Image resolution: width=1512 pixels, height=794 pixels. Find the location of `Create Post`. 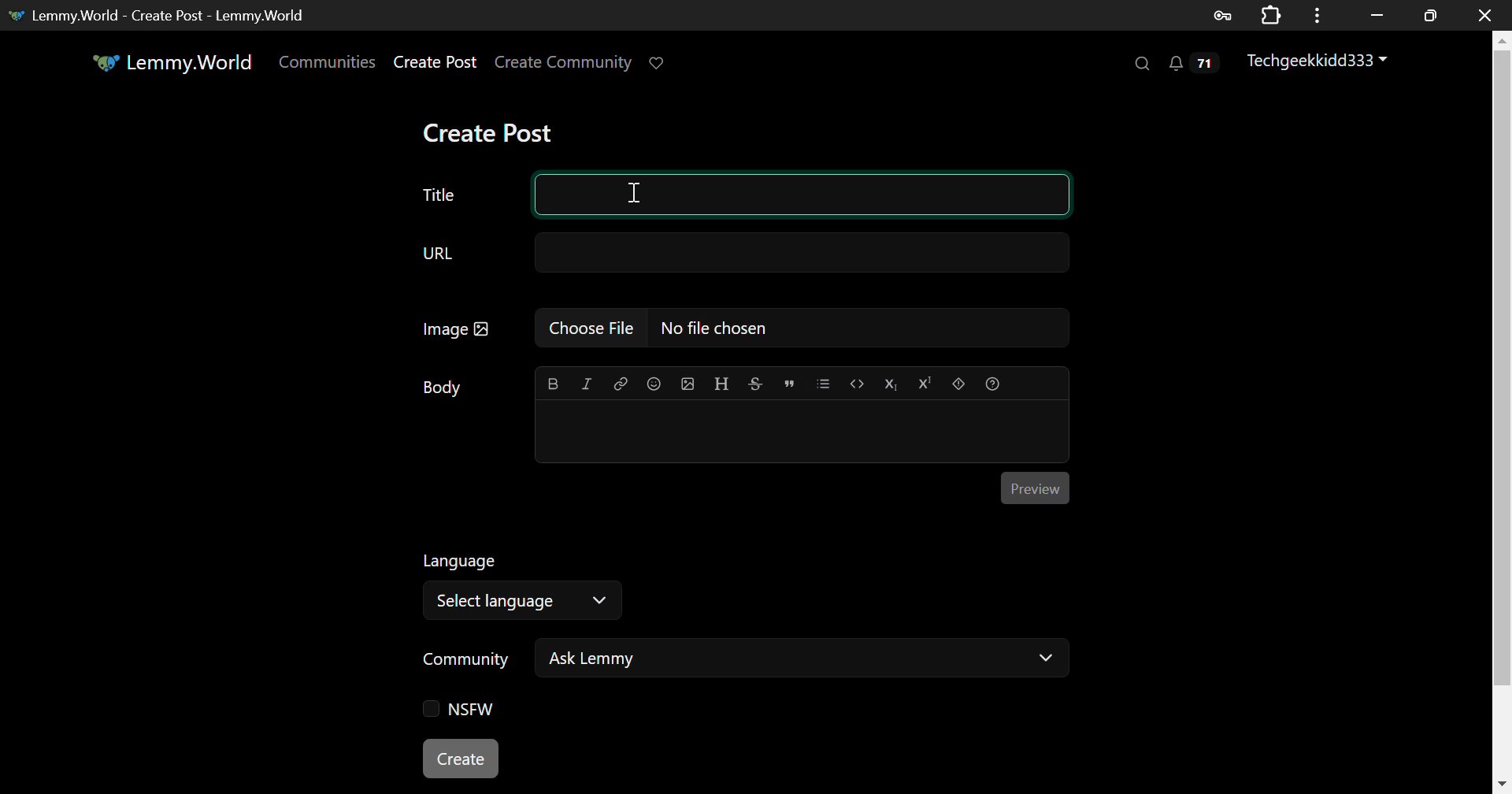

Create Post is located at coordinates (461, 756).